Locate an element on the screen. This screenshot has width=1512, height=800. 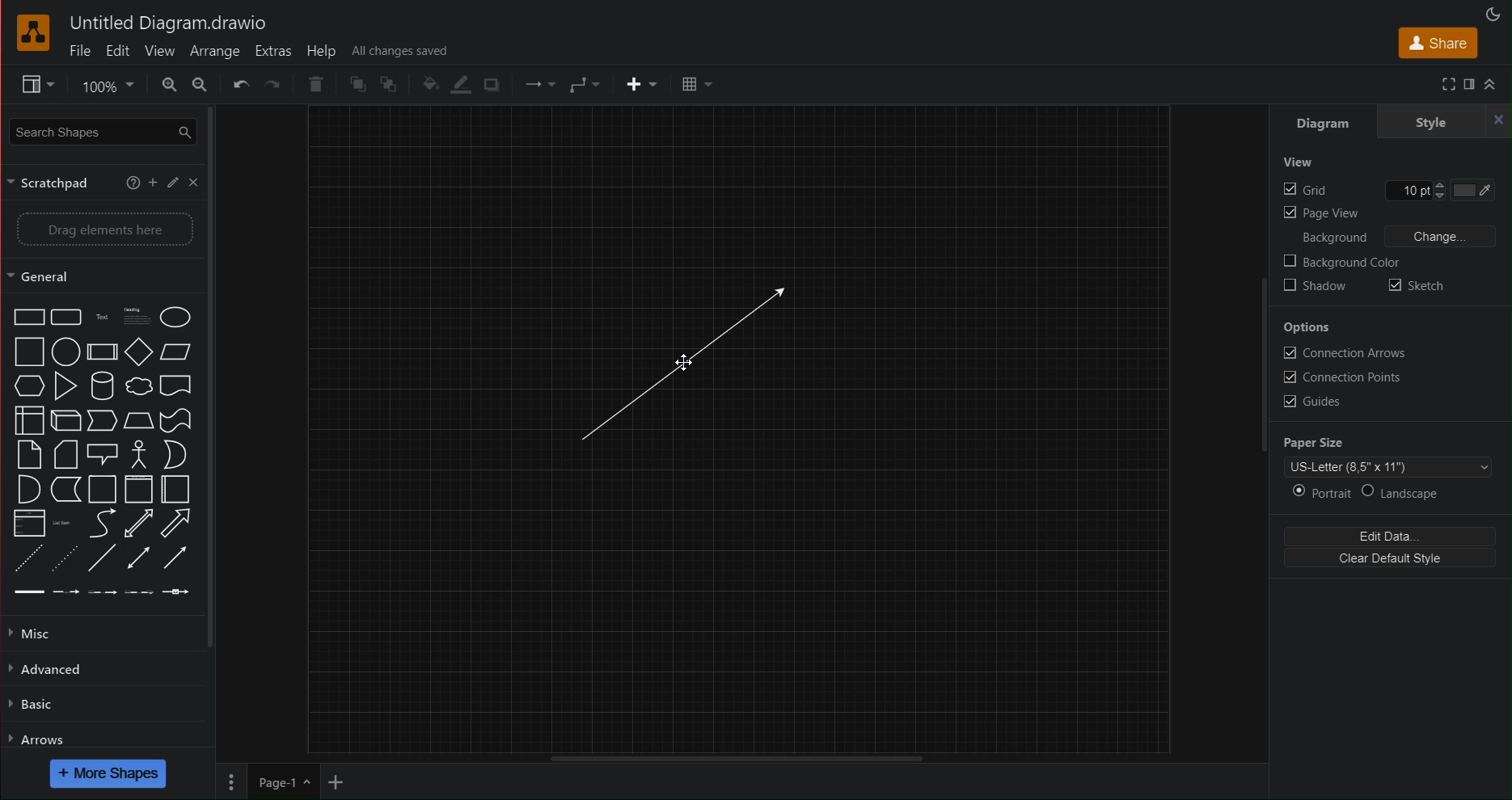
Grid Size is located at coordinates (1413, 192).